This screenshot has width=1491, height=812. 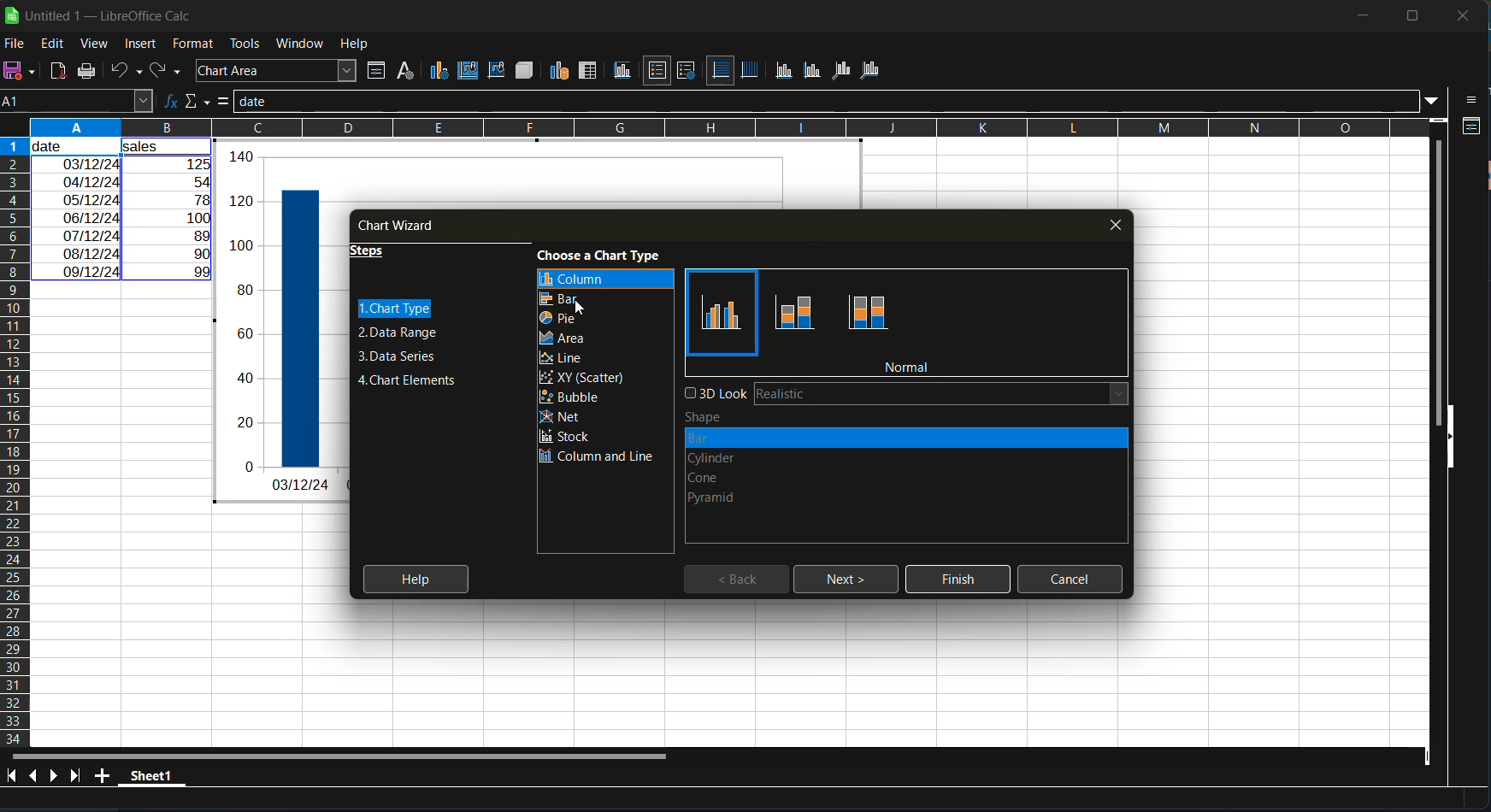 I want to click on x axis, so click(x=787, y=70).